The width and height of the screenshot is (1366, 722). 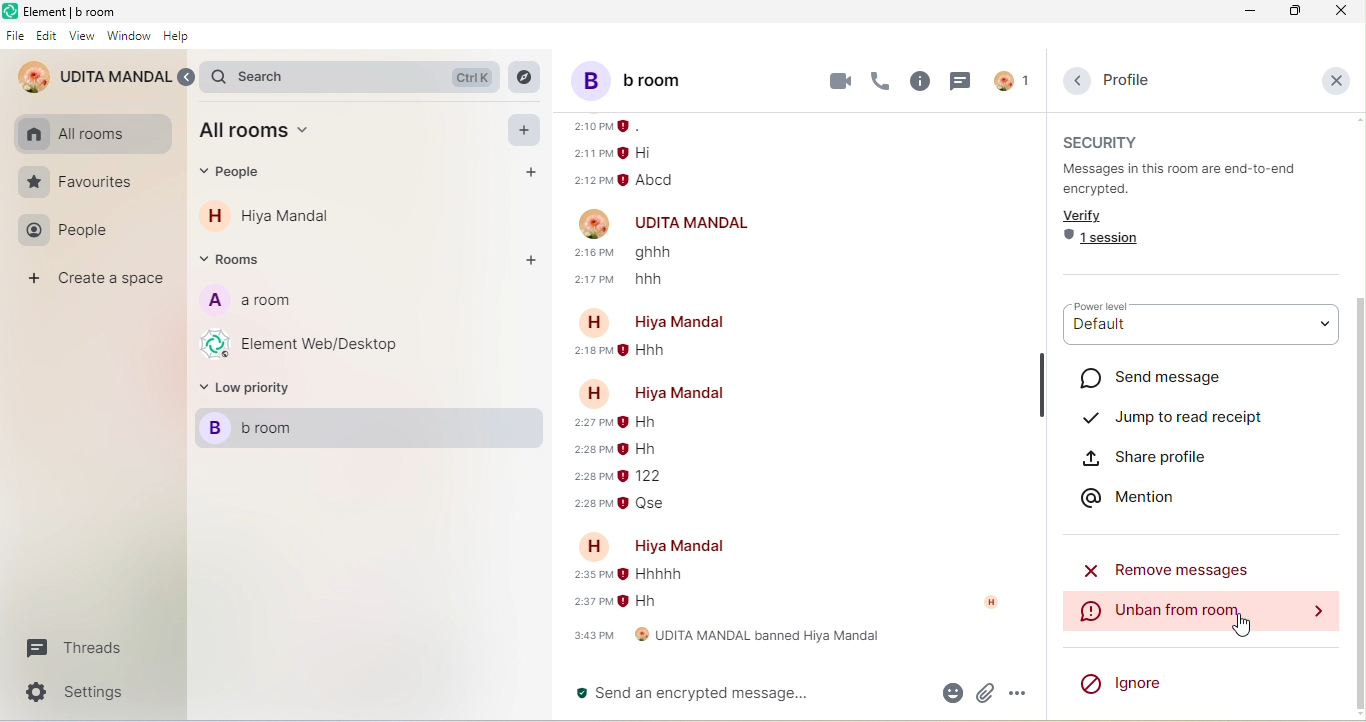 I want to click on file, so click(x=15, y=37).